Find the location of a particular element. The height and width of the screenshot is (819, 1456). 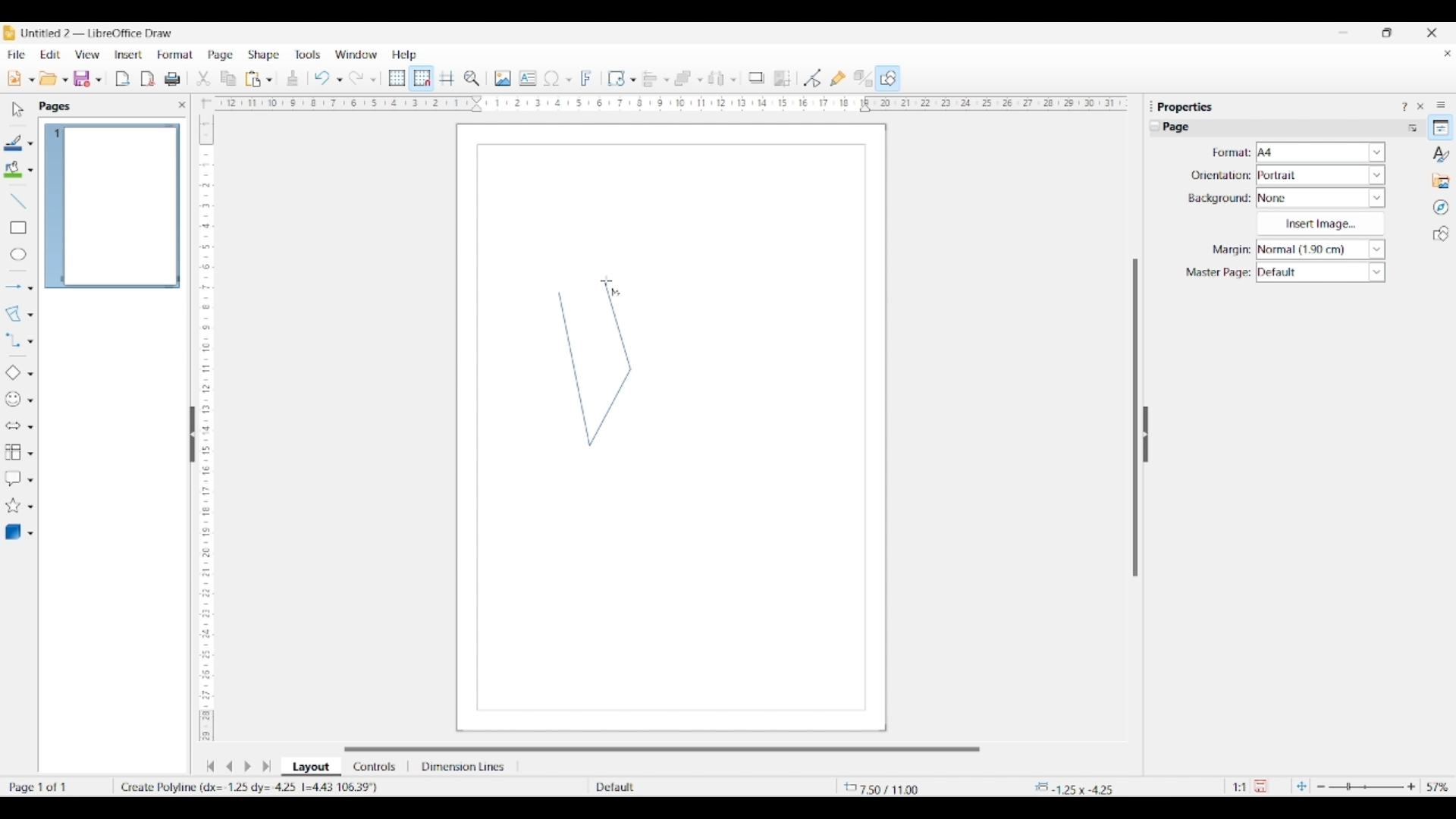

Gallery is located at coordinates (1441, 180).